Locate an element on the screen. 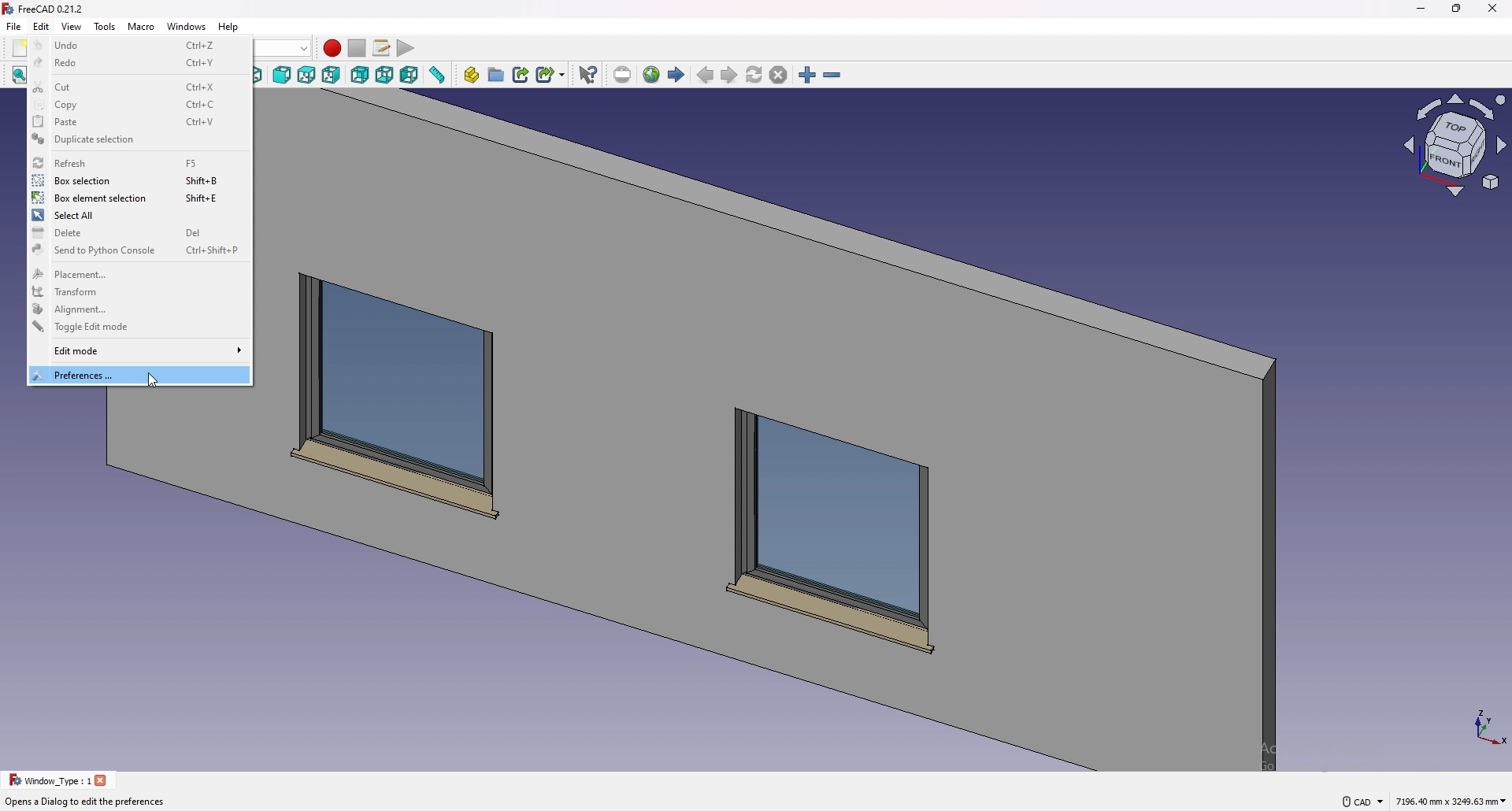 The width and height of the screenshot is (1512, 811). new is located at coordinates (19, 48).